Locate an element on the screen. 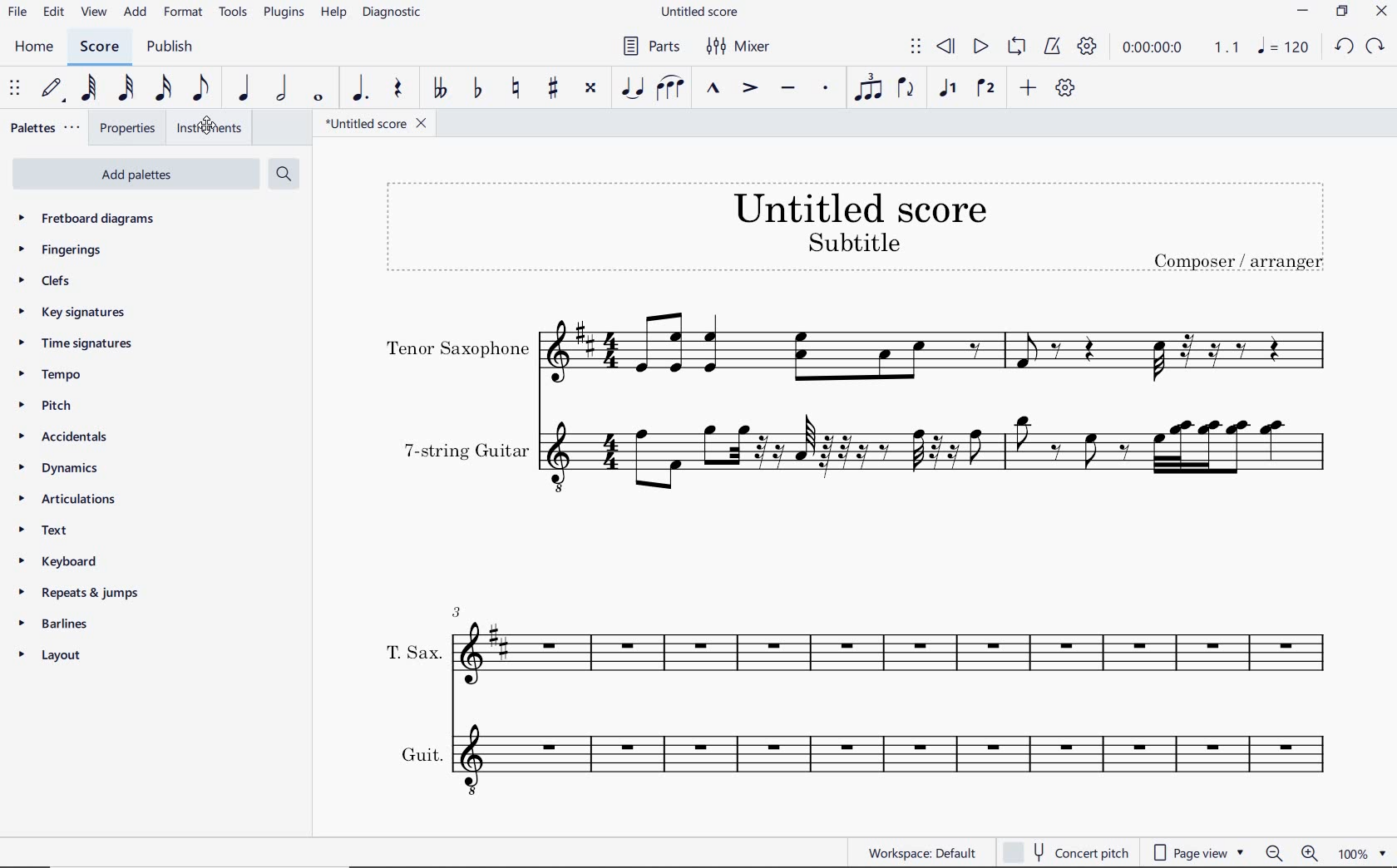 This screenshot has width=1397, height=868. PAGE VIEW is located at coordinates (1199, 851).